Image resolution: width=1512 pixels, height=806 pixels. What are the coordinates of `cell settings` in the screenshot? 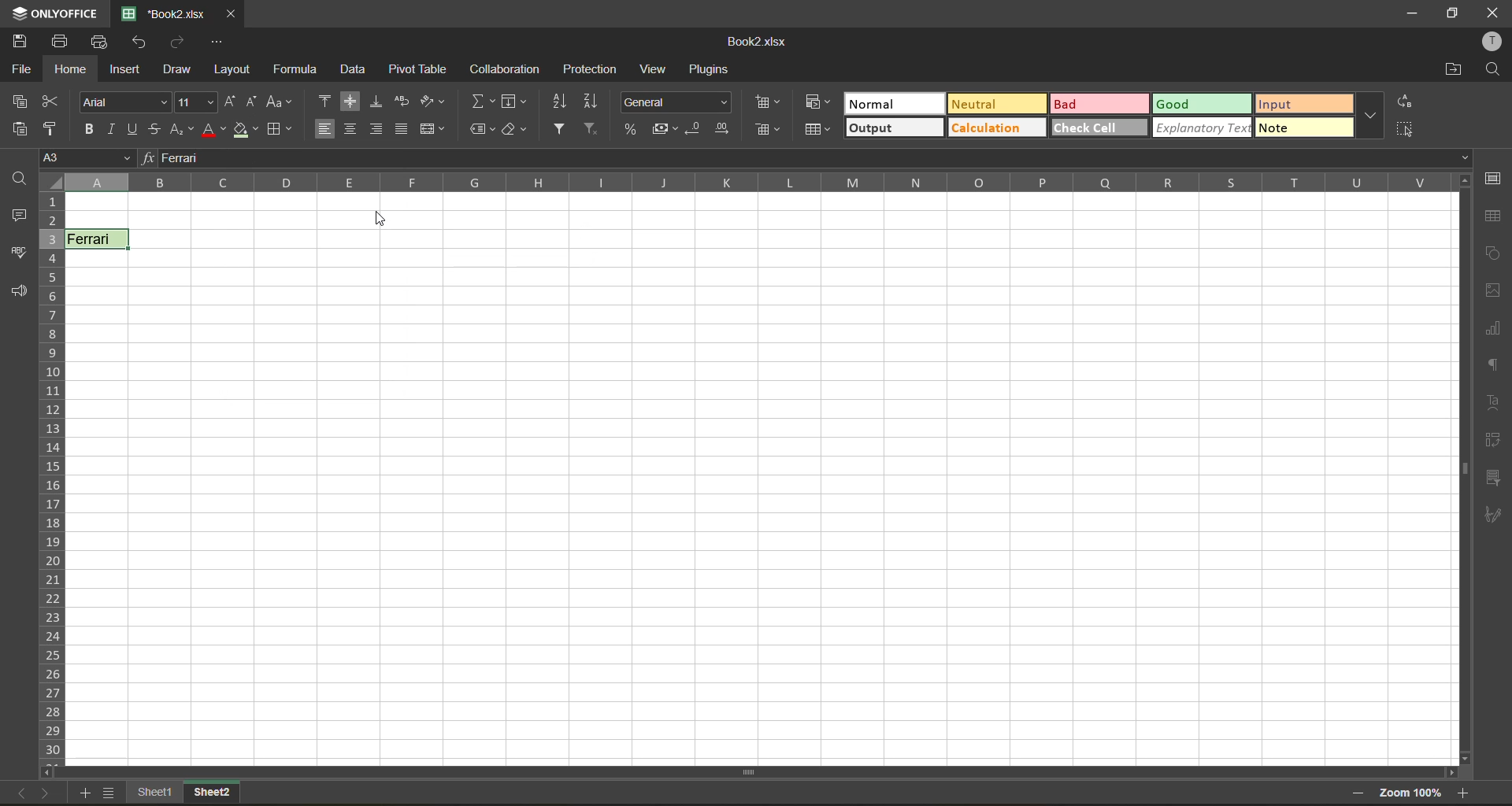 It's located at (1497, 179).